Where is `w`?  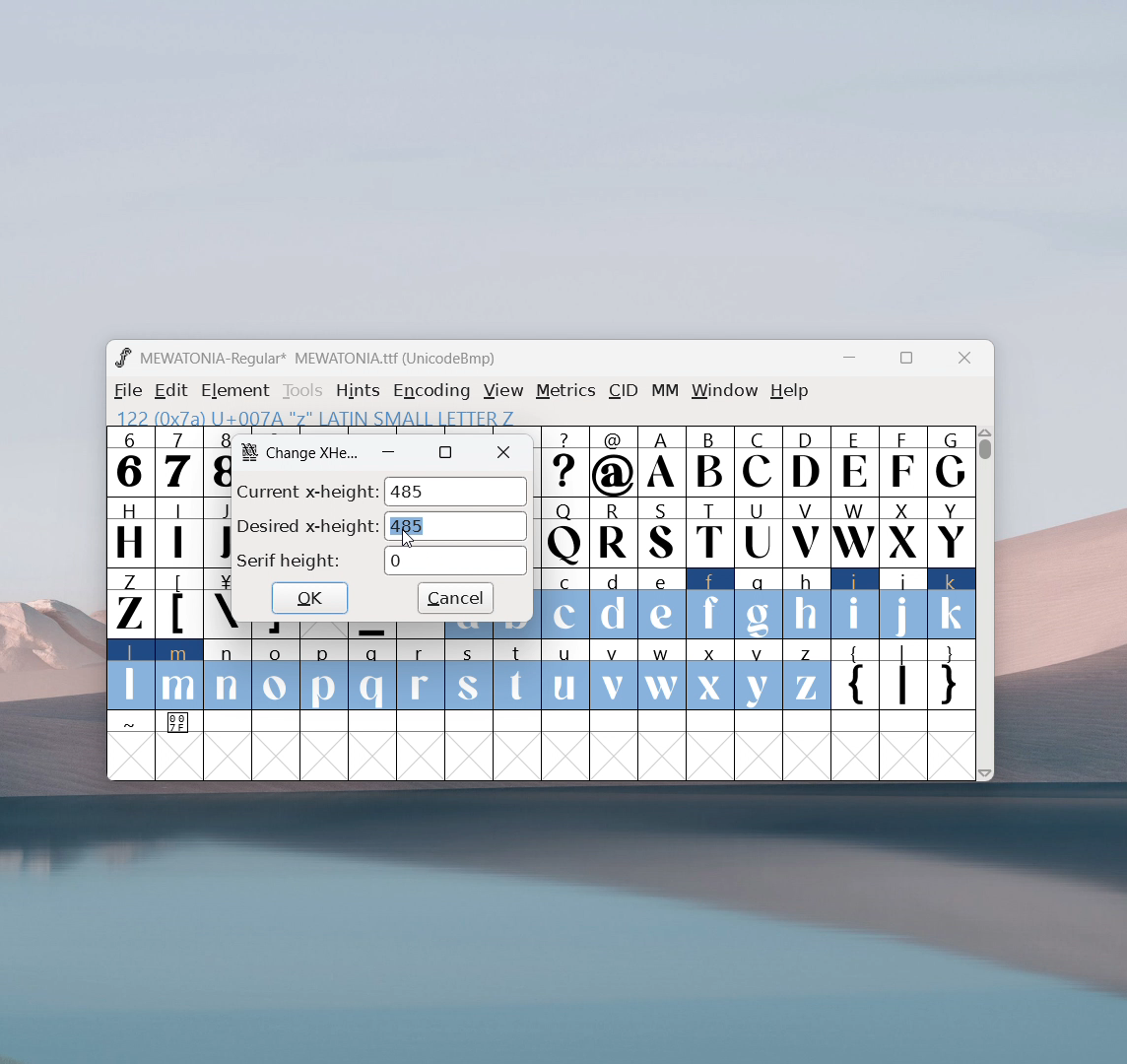 w is located at coordinates (662, 675).